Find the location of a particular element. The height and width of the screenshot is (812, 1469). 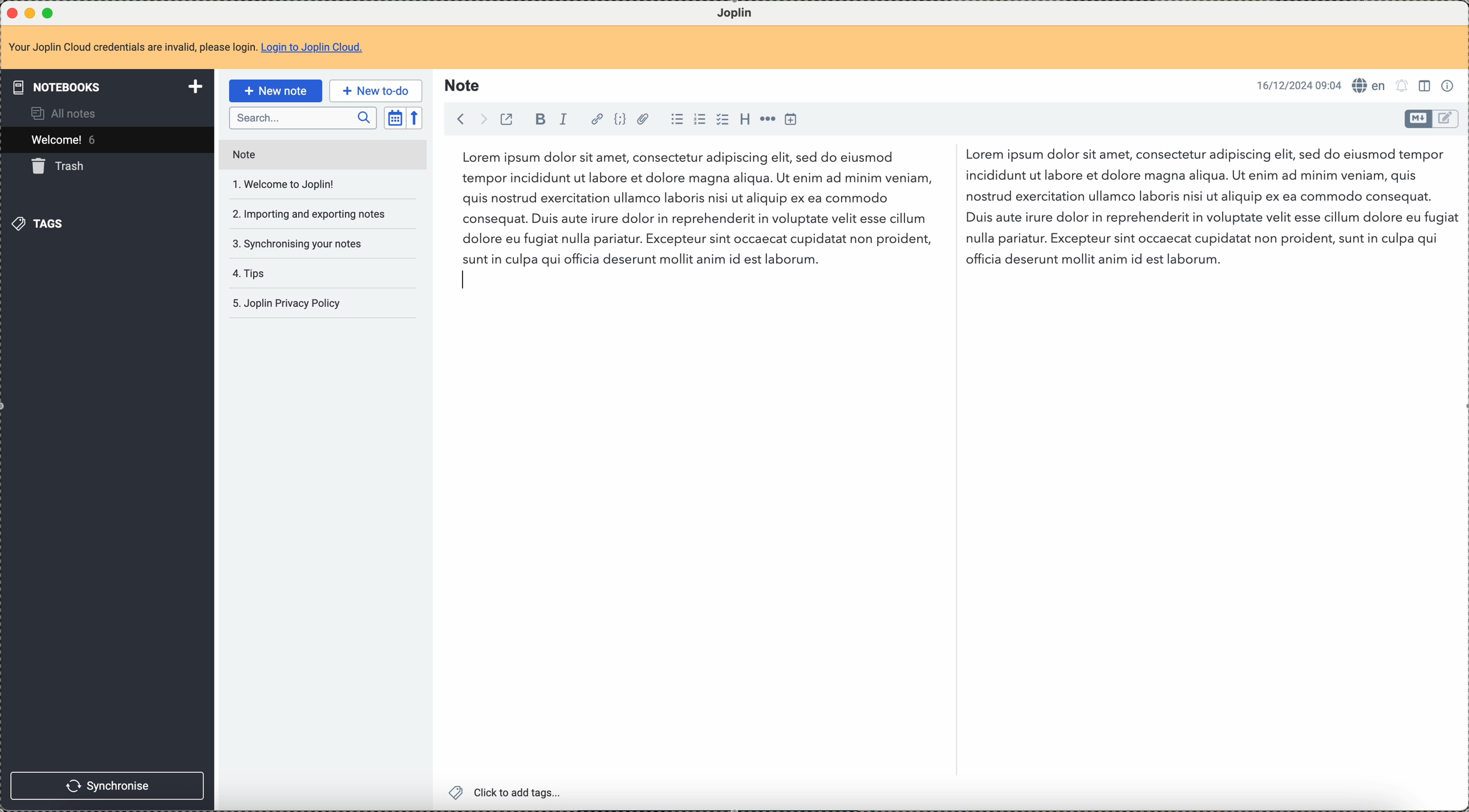

reverse sort order is located at coordinates (415, 117).